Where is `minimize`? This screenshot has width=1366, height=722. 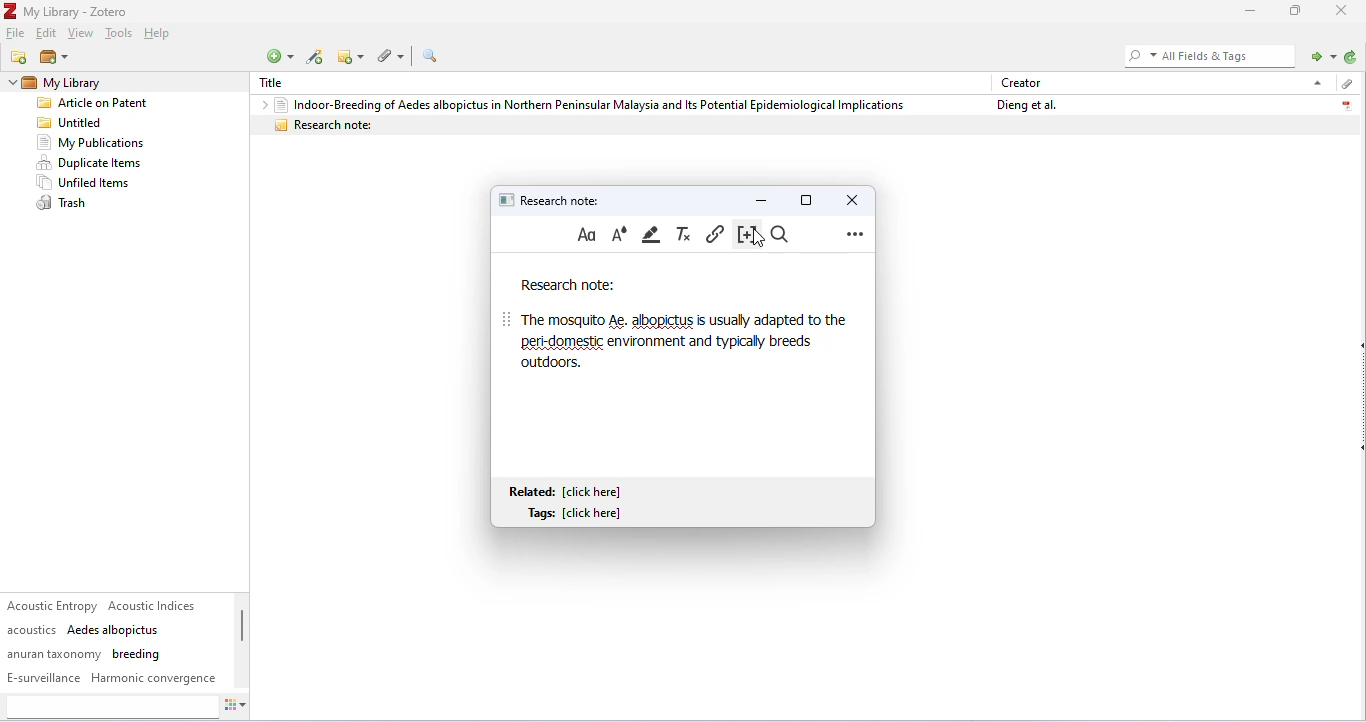 minimize is located at coordinates (762, 199).